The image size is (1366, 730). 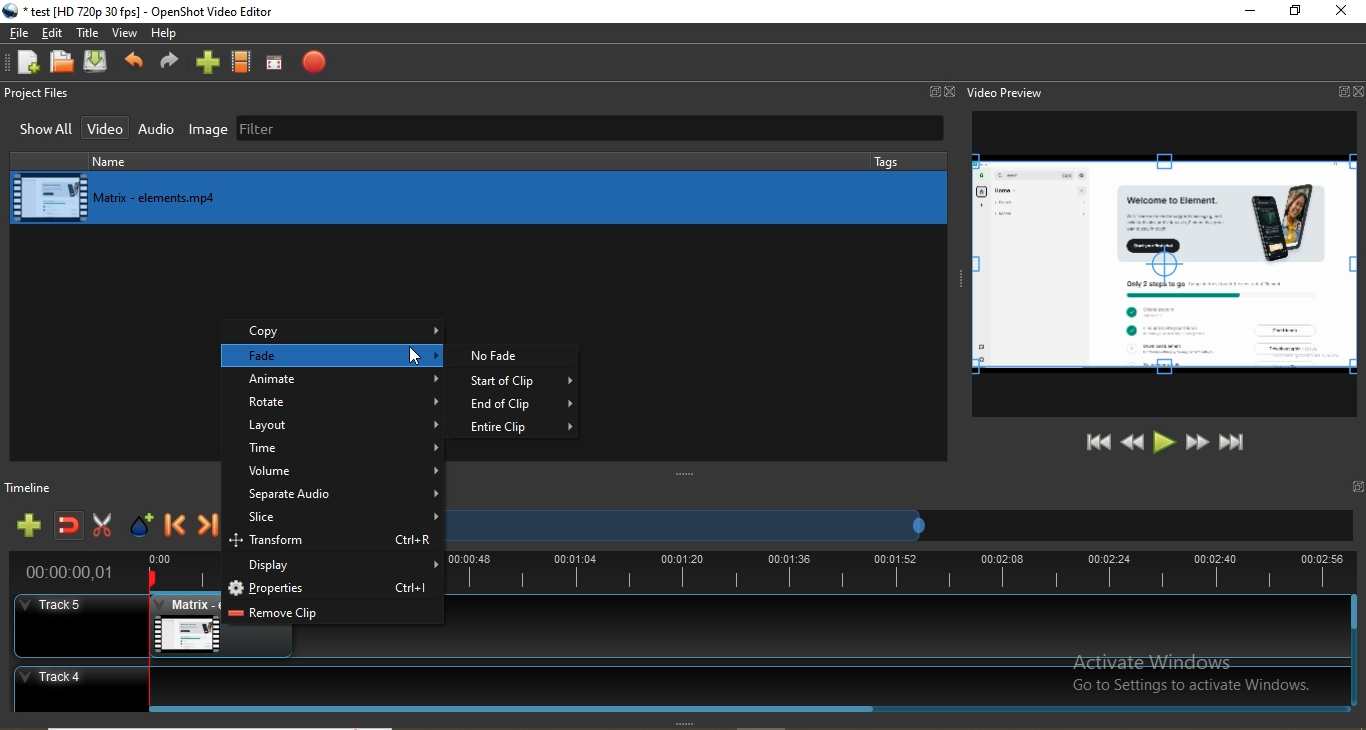 I want to click on Next marker, so click(x=211, y=529).